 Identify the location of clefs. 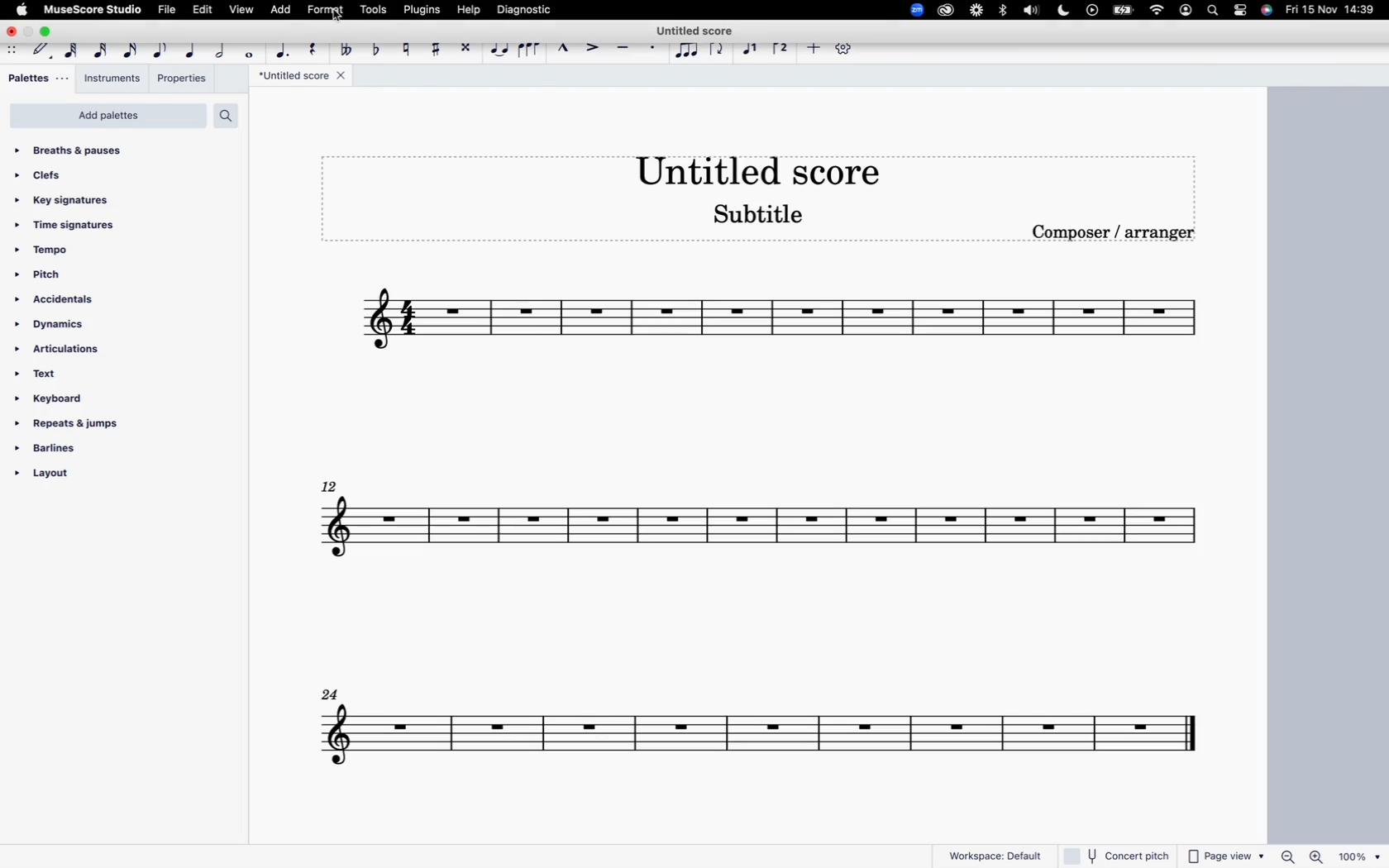
(55, 176).